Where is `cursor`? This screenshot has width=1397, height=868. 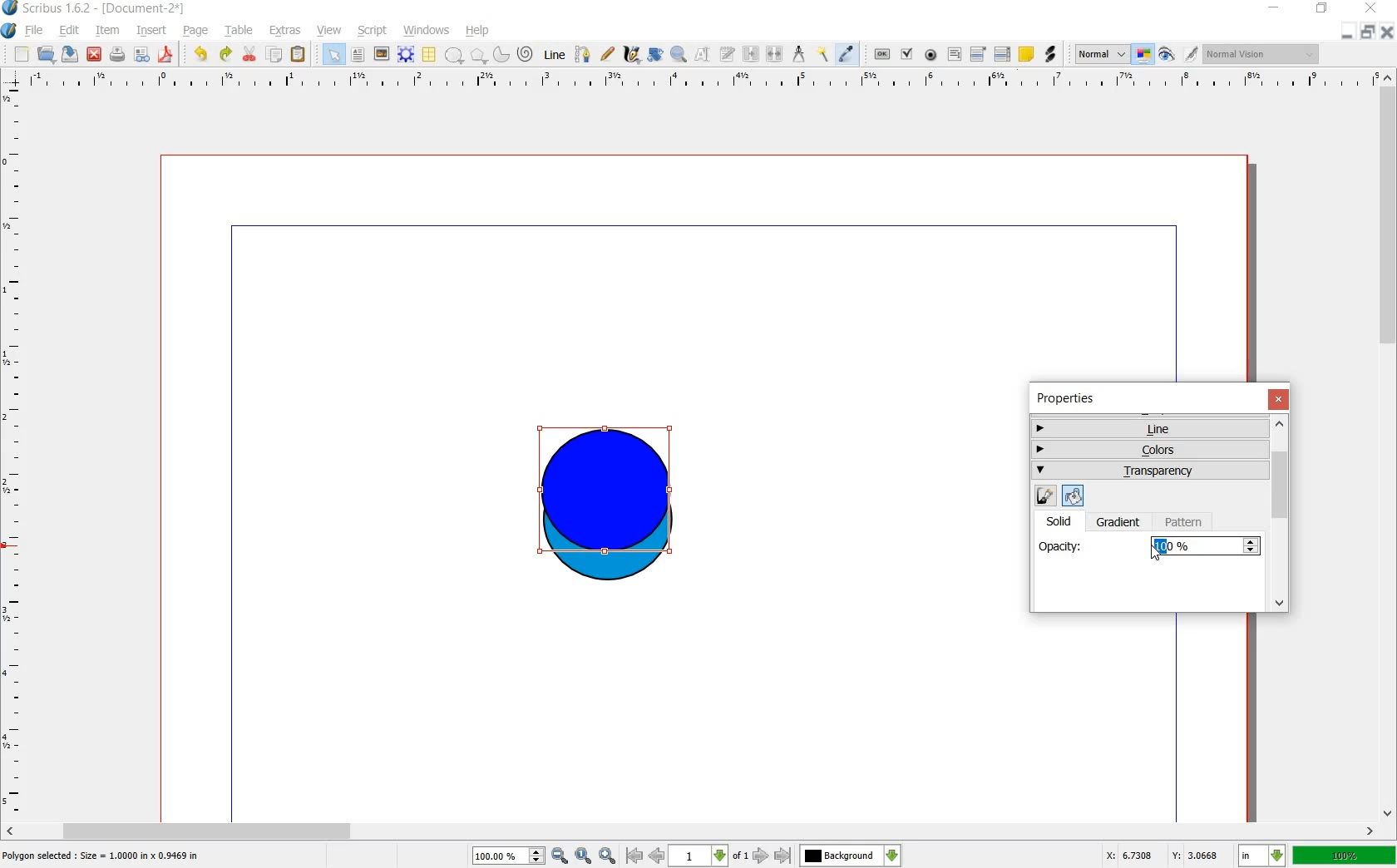 cursor is located at coordinates (1158, 556).